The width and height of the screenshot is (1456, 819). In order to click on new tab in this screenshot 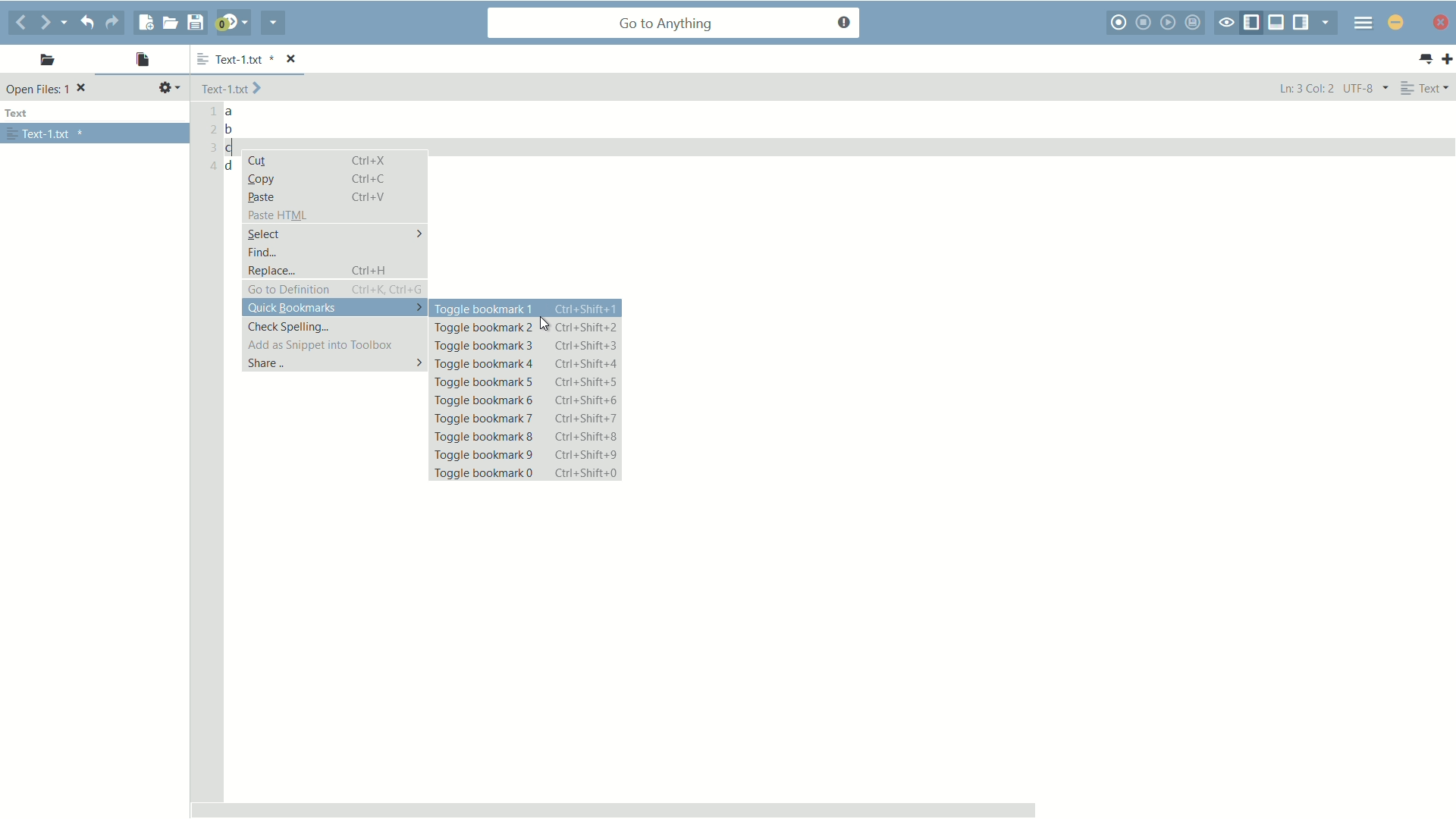, I will do `click(1447, 60)`.